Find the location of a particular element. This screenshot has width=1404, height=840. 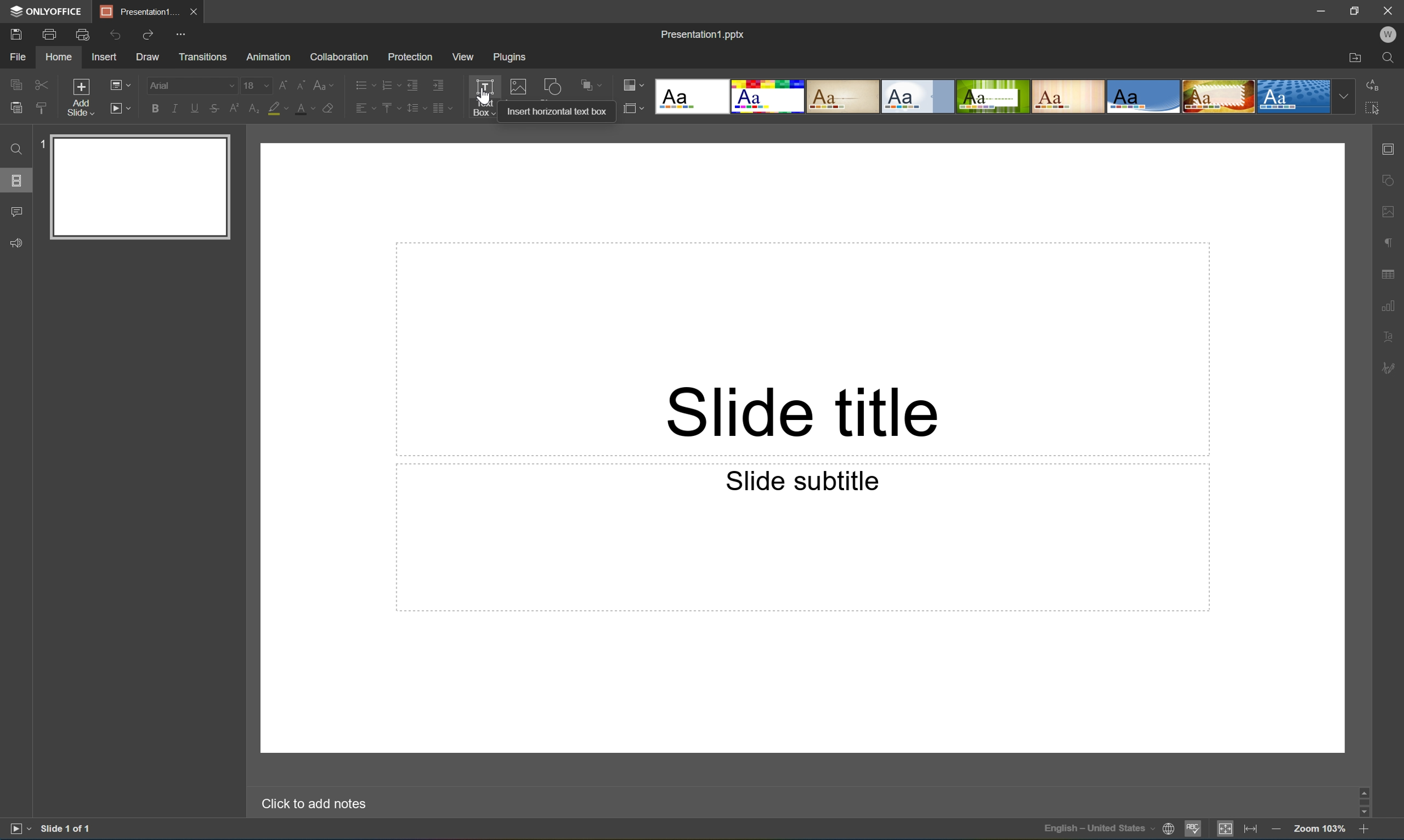

Slide settings is located at coordinates (1392, 149).